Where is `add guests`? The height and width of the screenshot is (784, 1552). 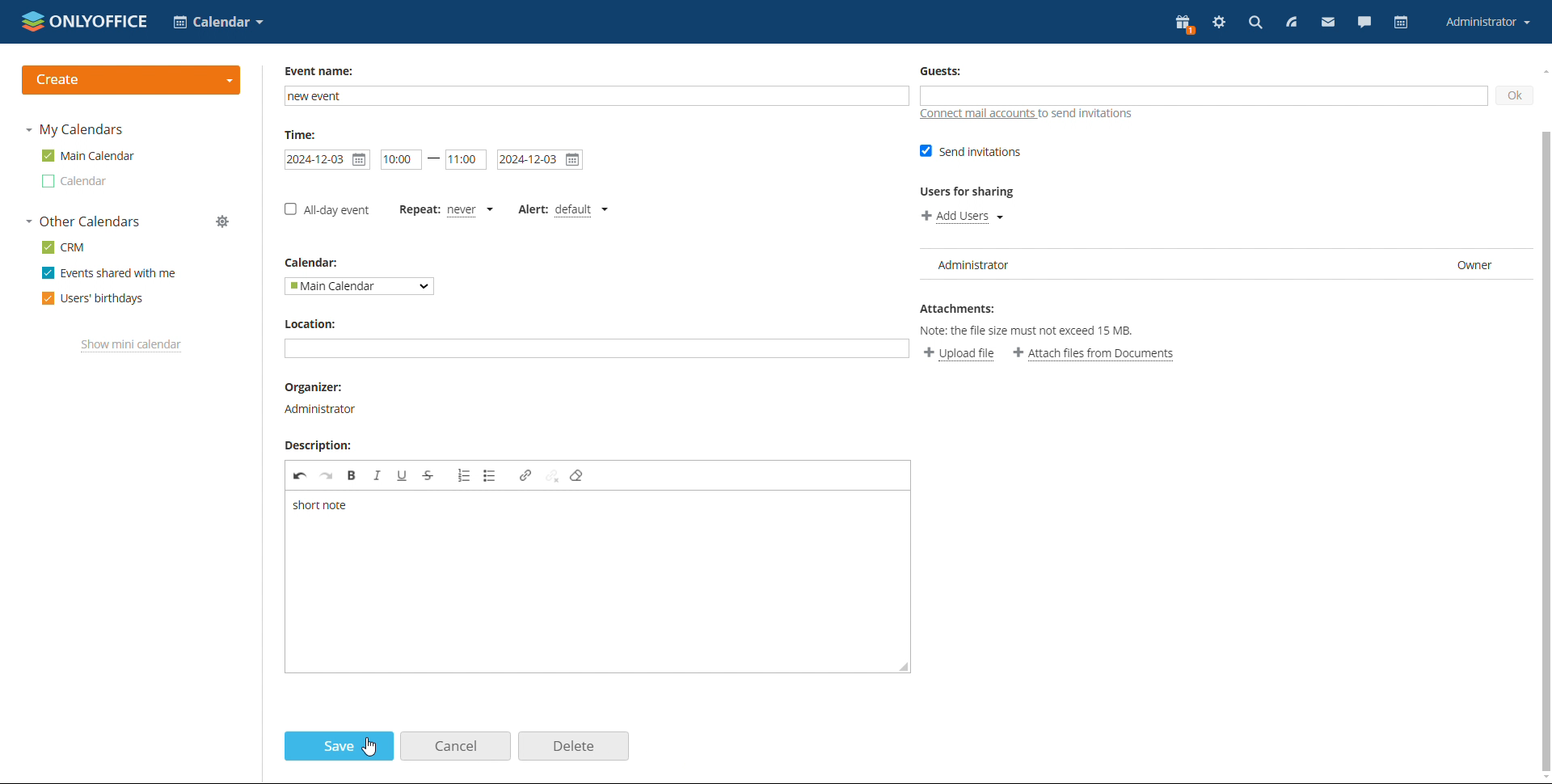 add guests is located at coordinates (1203, 95).